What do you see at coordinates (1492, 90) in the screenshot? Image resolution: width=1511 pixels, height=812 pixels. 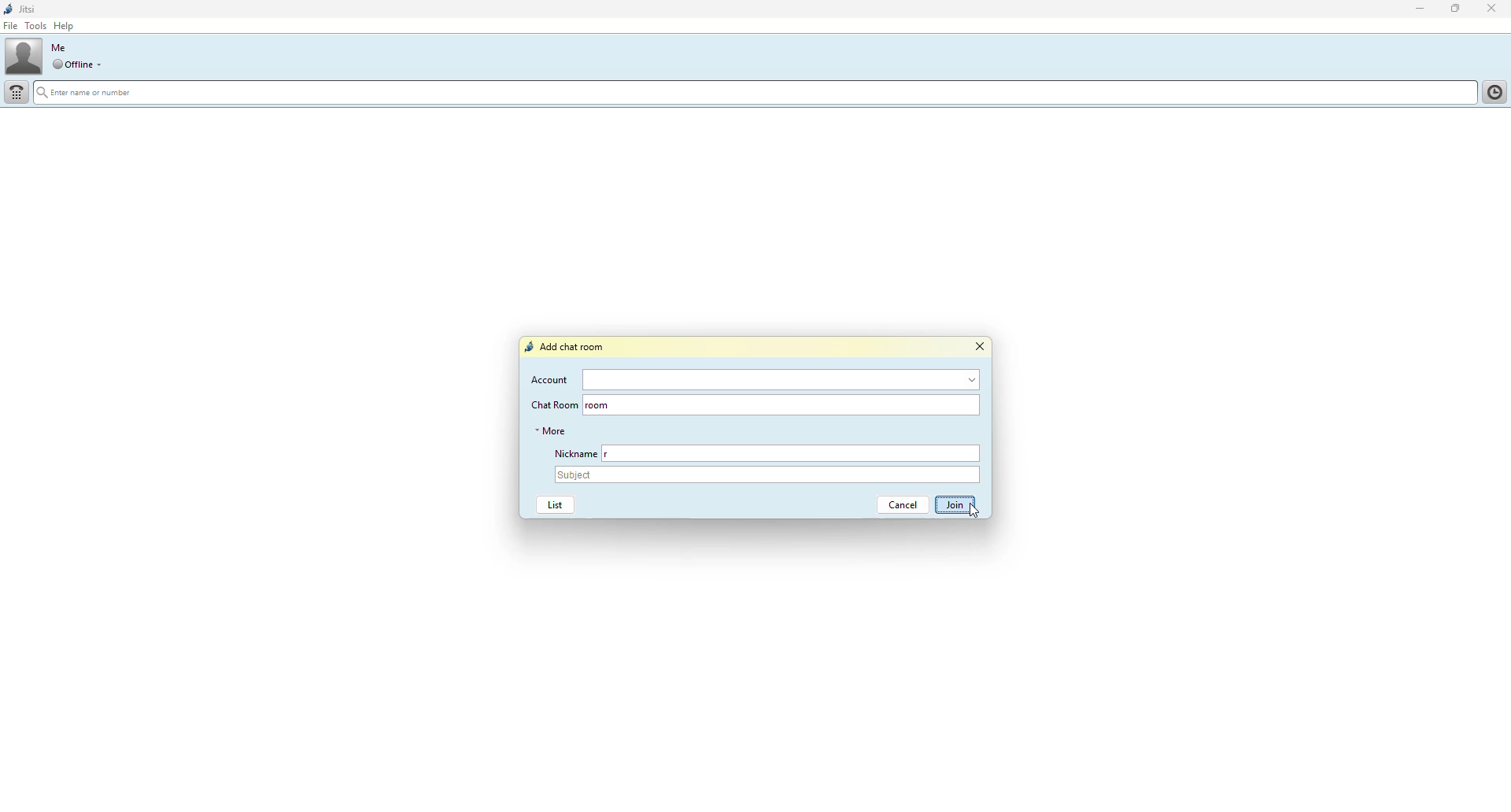 I see `History` at bounding box center [1492, 90].